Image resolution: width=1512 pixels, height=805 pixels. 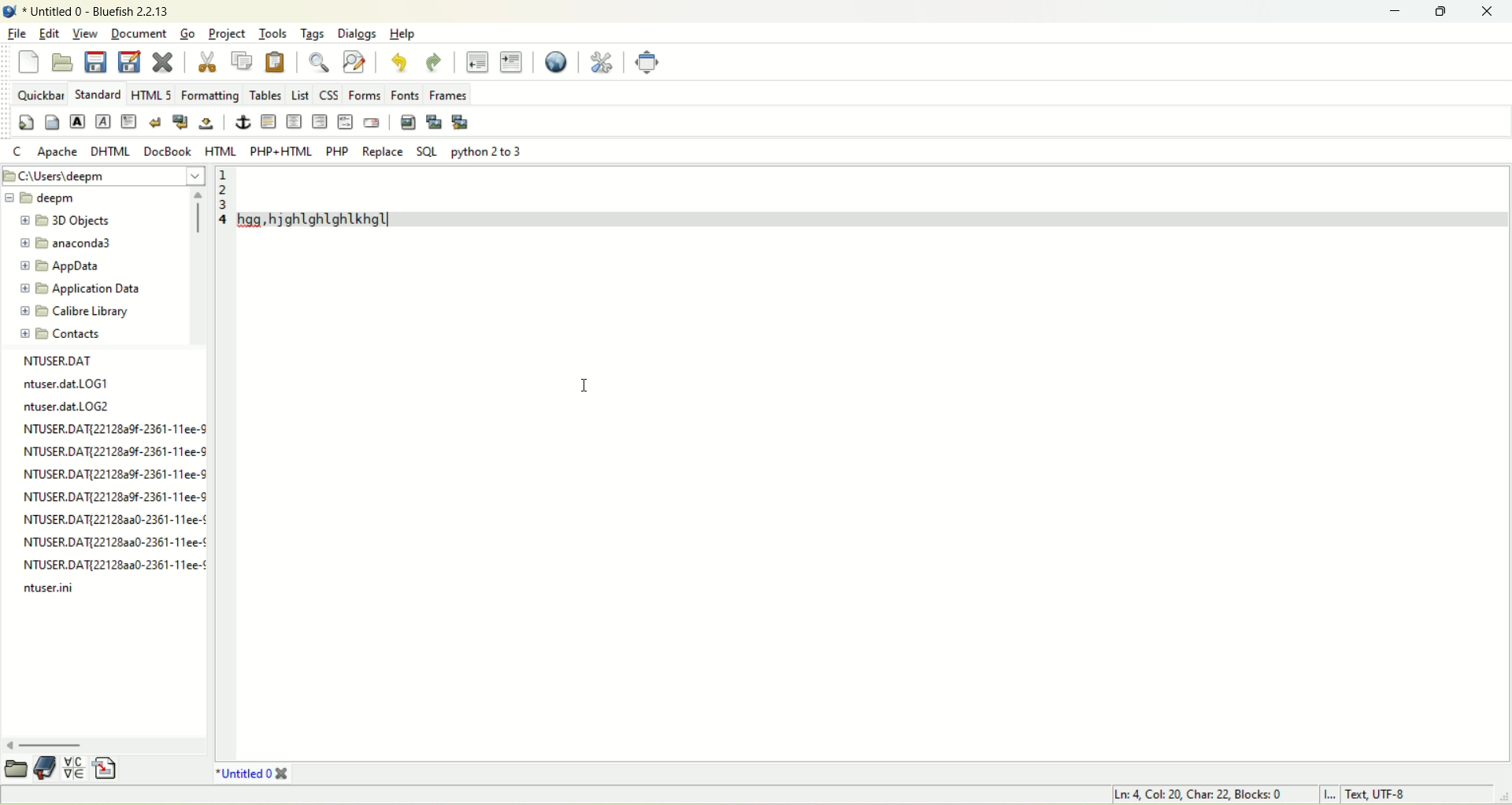 What do you see at coordinates (115, 518) in the screenshot?
I see `NTUSER.DAT{22128aa0-2361-11ee-¢` at bounding box center [115, 518].